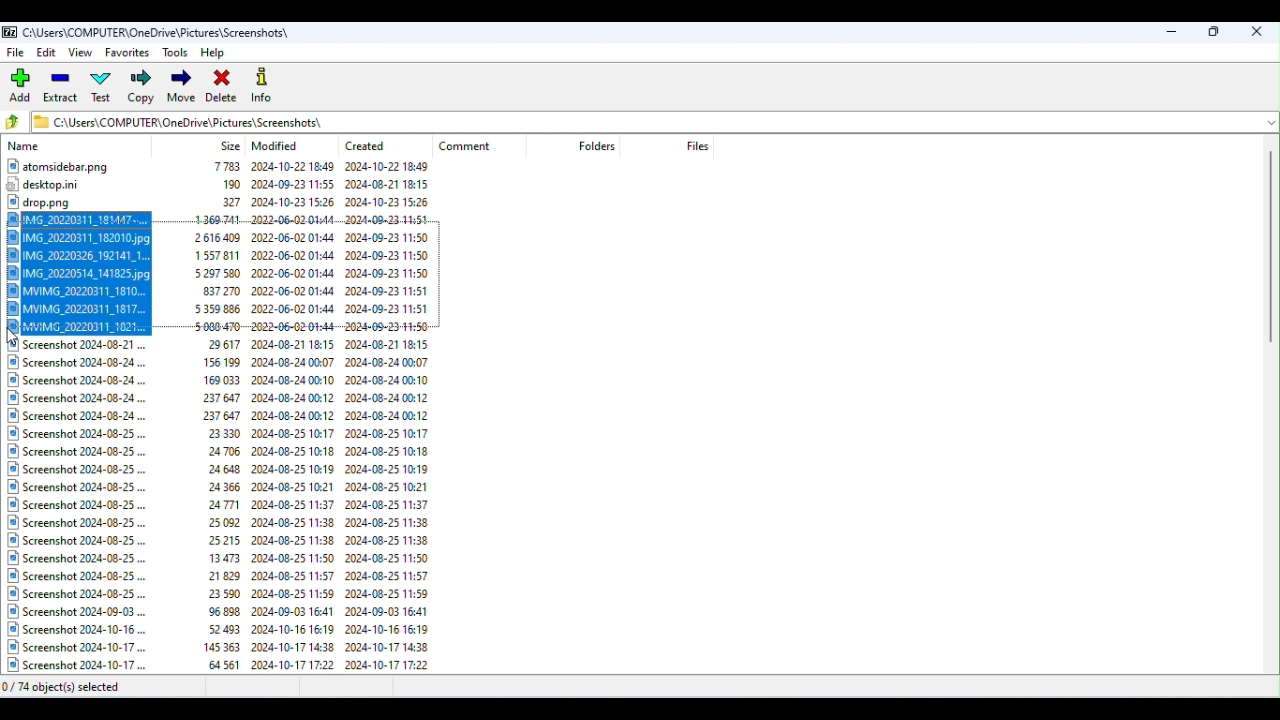  I want to click on Files, so click(227, 183).